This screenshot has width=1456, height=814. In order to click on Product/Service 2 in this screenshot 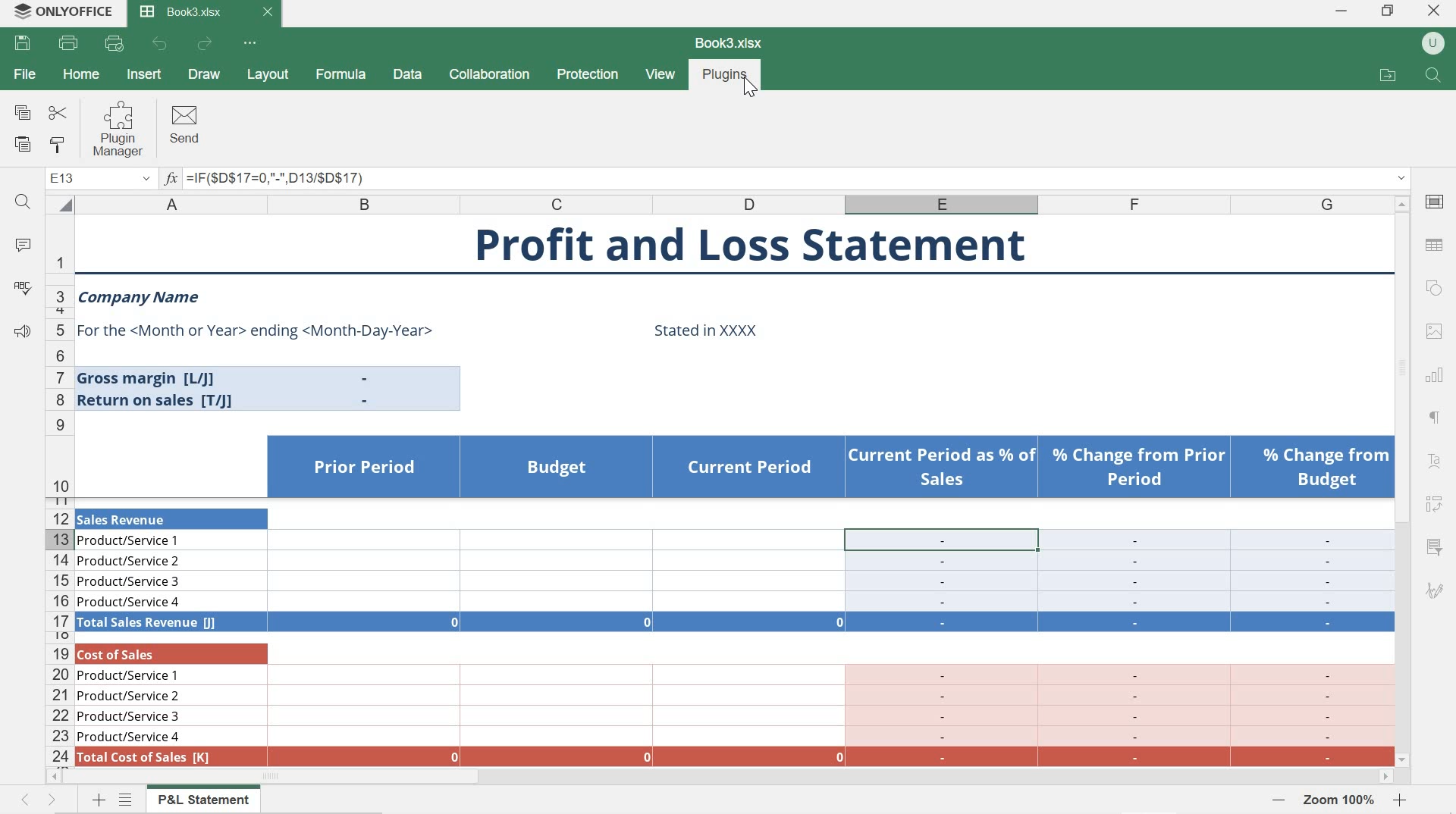, I will do `click(131, 562)`.